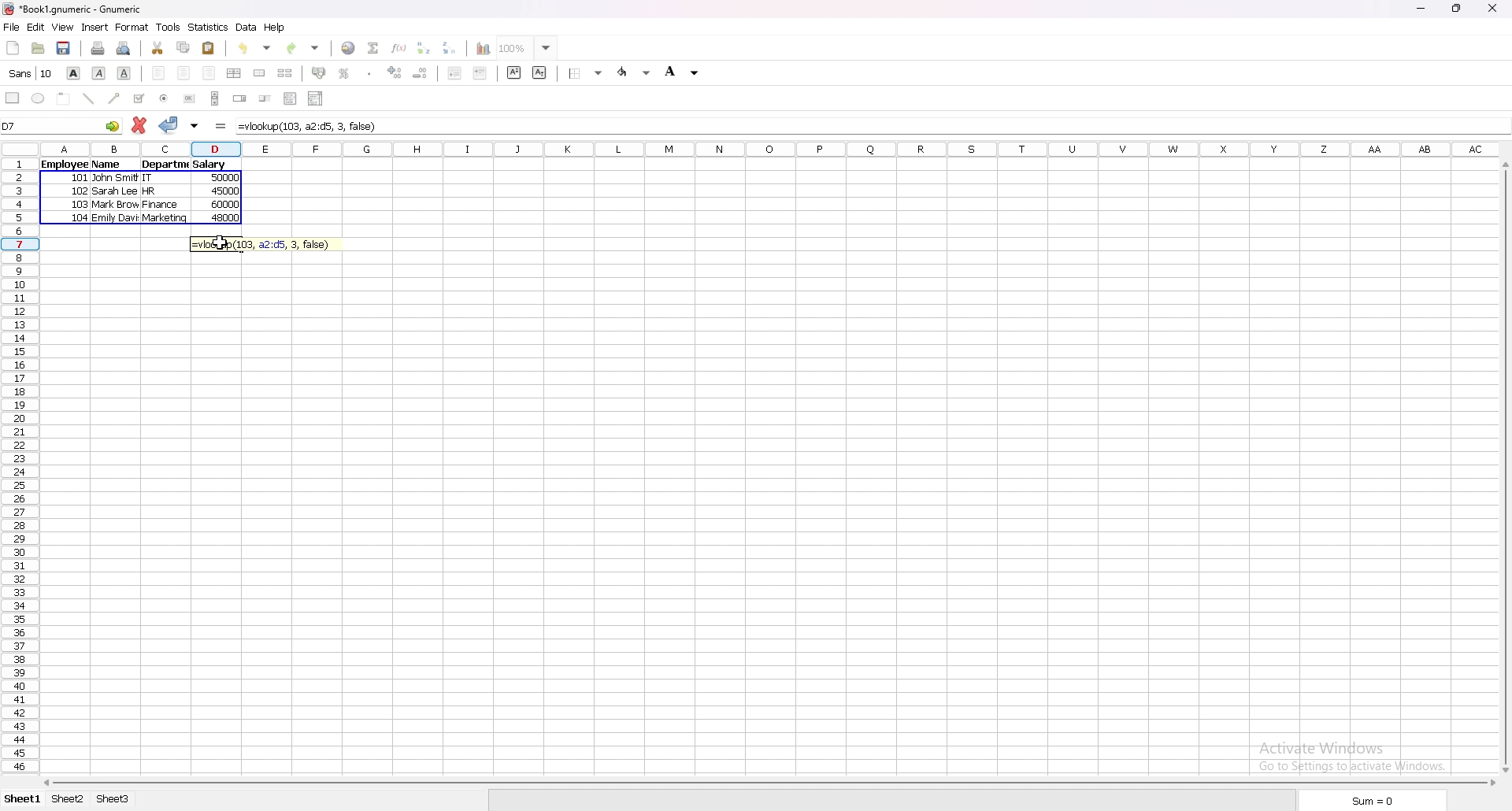 The width and height of the screenshot is (1512, 811). Describe the element at coordinates (240, 98) in the screenshot. I see `spin button` at that location.